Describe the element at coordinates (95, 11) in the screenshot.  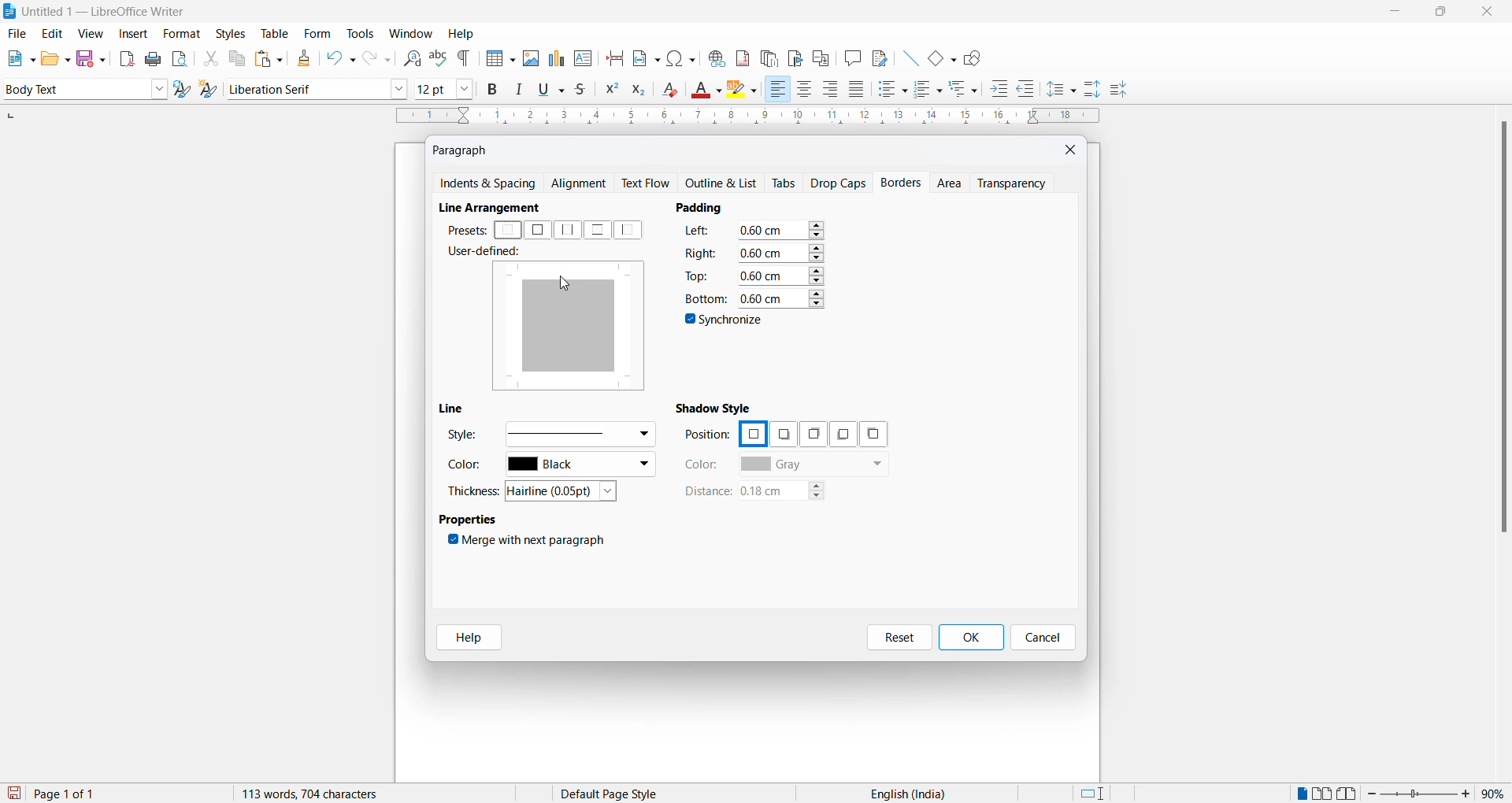
I see `file title` at that location.